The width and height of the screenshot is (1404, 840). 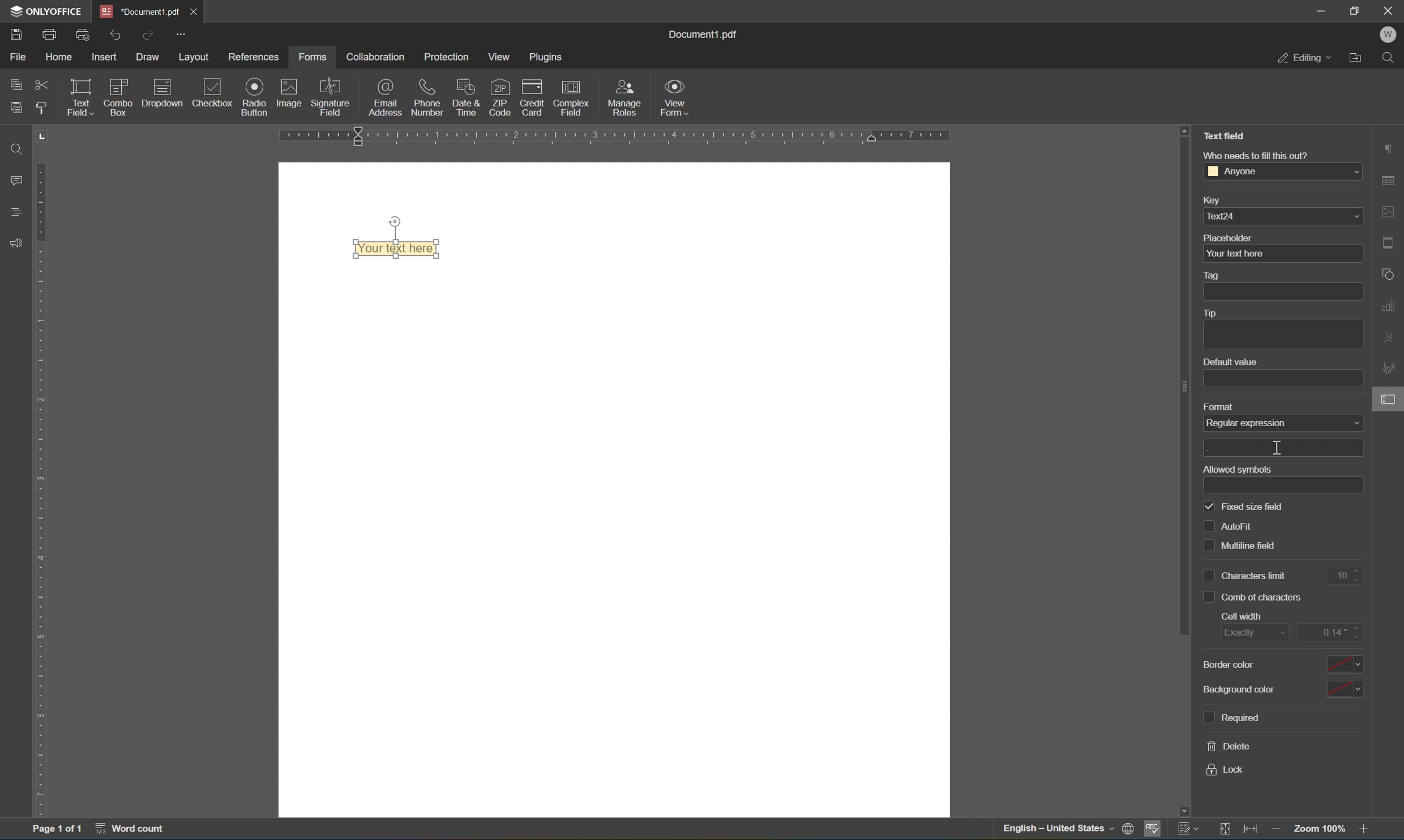 I want to click on document1.pdf, so click(x=701, y=32).